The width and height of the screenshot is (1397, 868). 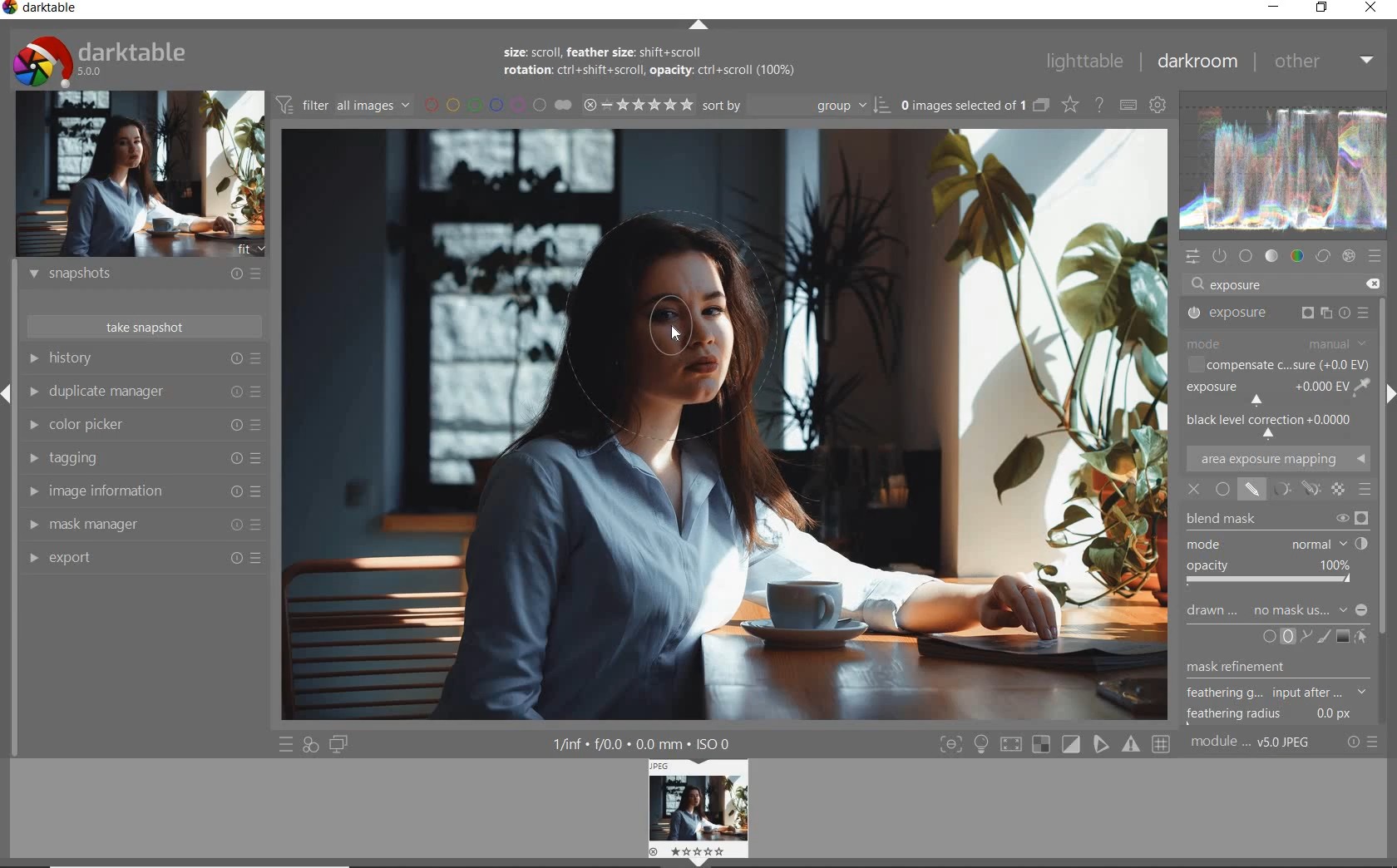 What do you see at coordinates (1221, 255) in the screenshot?
I see `show only active module` at bounding box center [1221, 255].